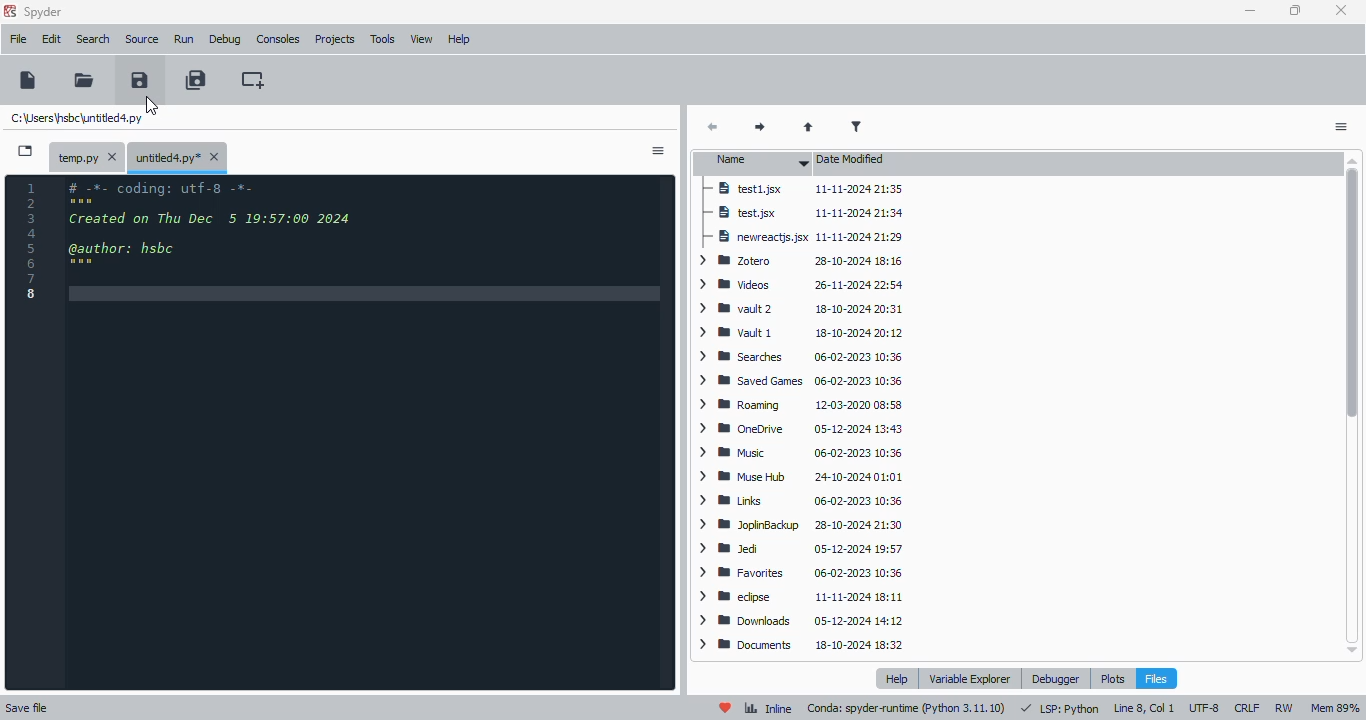 Image resolution: width=1366 pixels, height=720 pixels. Describe the element at coordinates (370, 435) in the screenshot. I see `editor` at that location.